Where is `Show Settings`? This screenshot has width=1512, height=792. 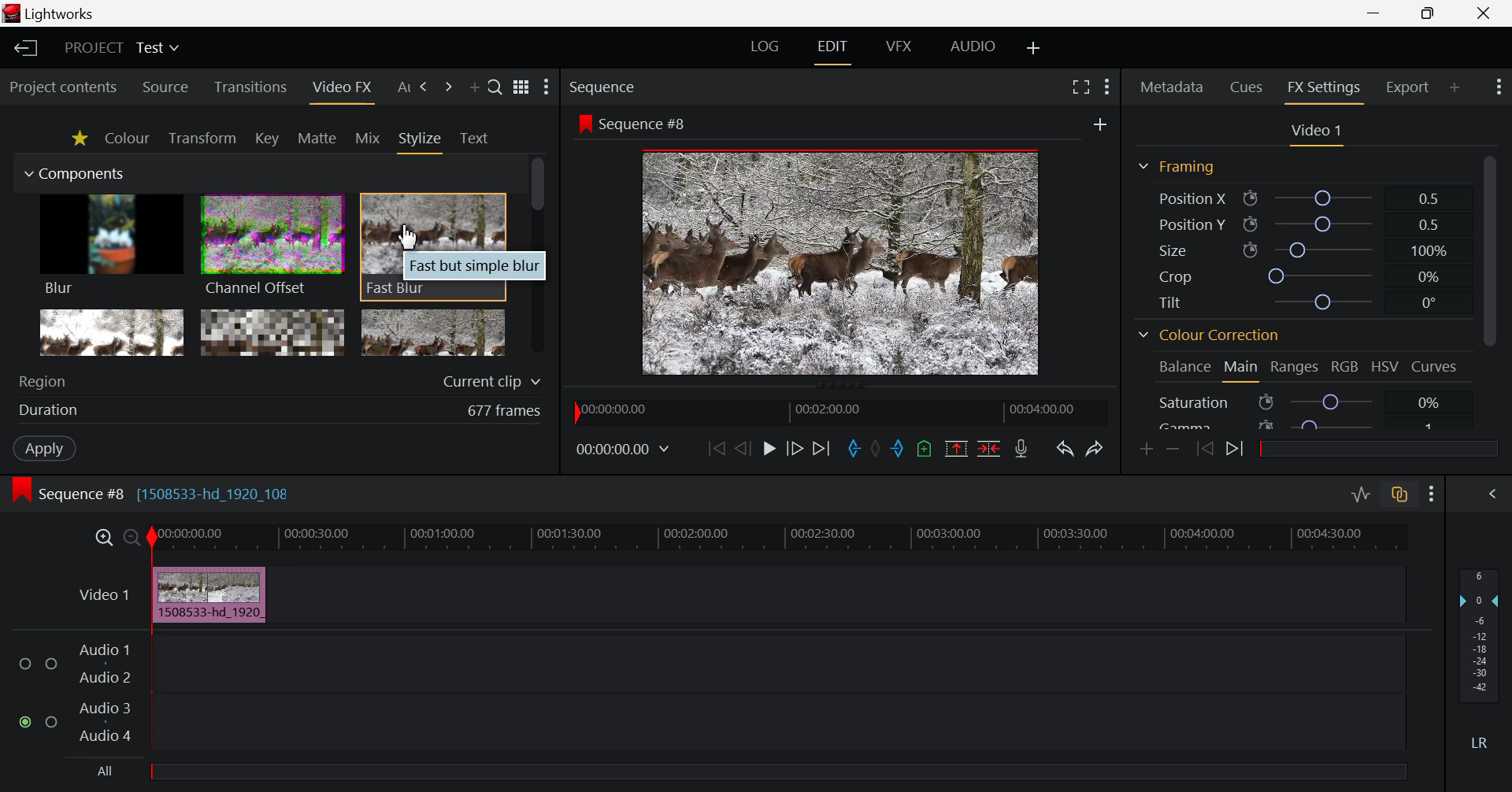 Show Settings is located at coordinates (547, 85).